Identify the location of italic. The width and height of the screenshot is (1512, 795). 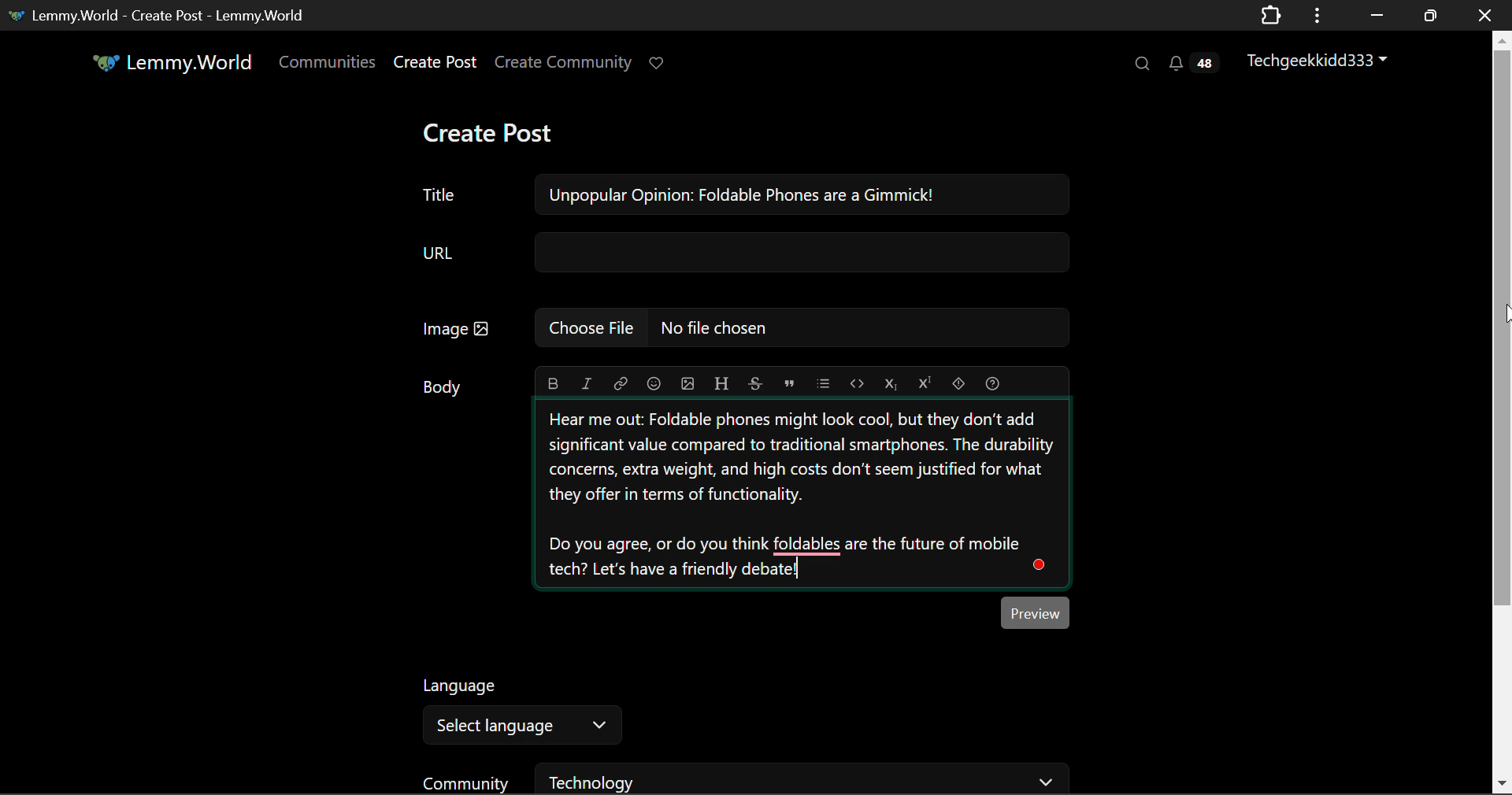
(587, 383).